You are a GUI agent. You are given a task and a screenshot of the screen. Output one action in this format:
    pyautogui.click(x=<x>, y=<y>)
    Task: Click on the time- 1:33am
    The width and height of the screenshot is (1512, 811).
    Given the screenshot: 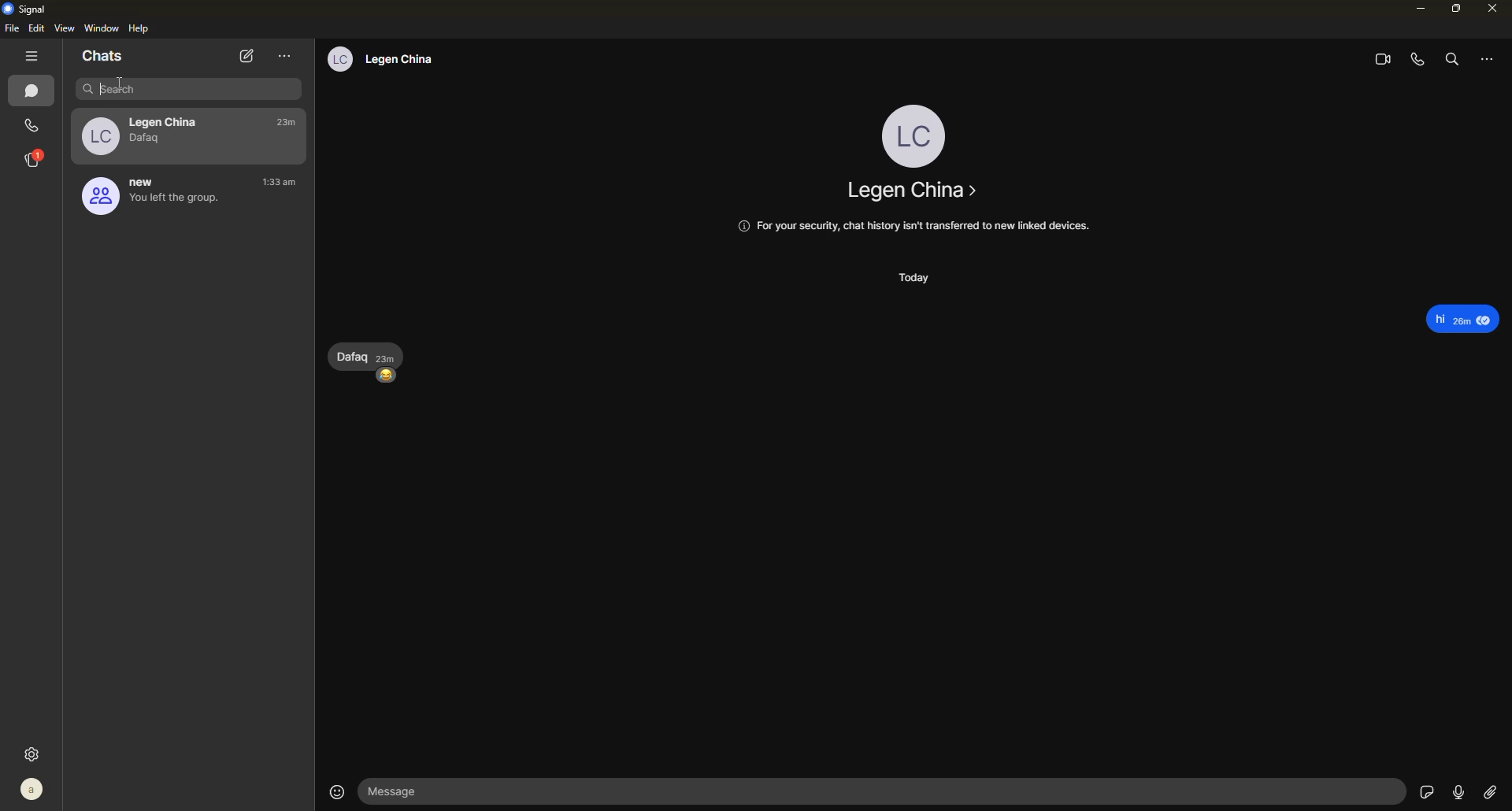 What is the action you would take?
    pyautogui.click(x=279, y=181)
    